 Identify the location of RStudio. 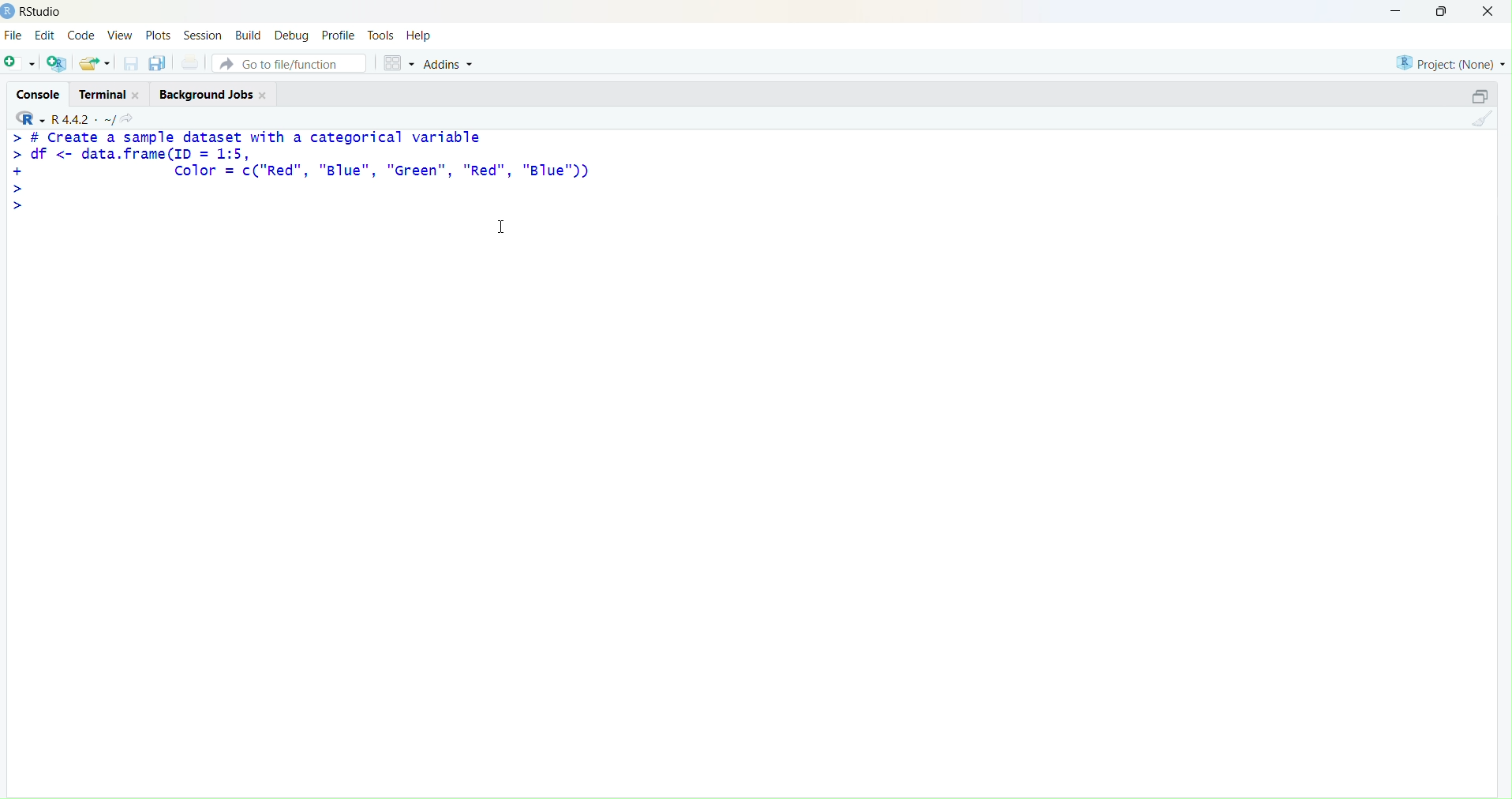
(43, 12).